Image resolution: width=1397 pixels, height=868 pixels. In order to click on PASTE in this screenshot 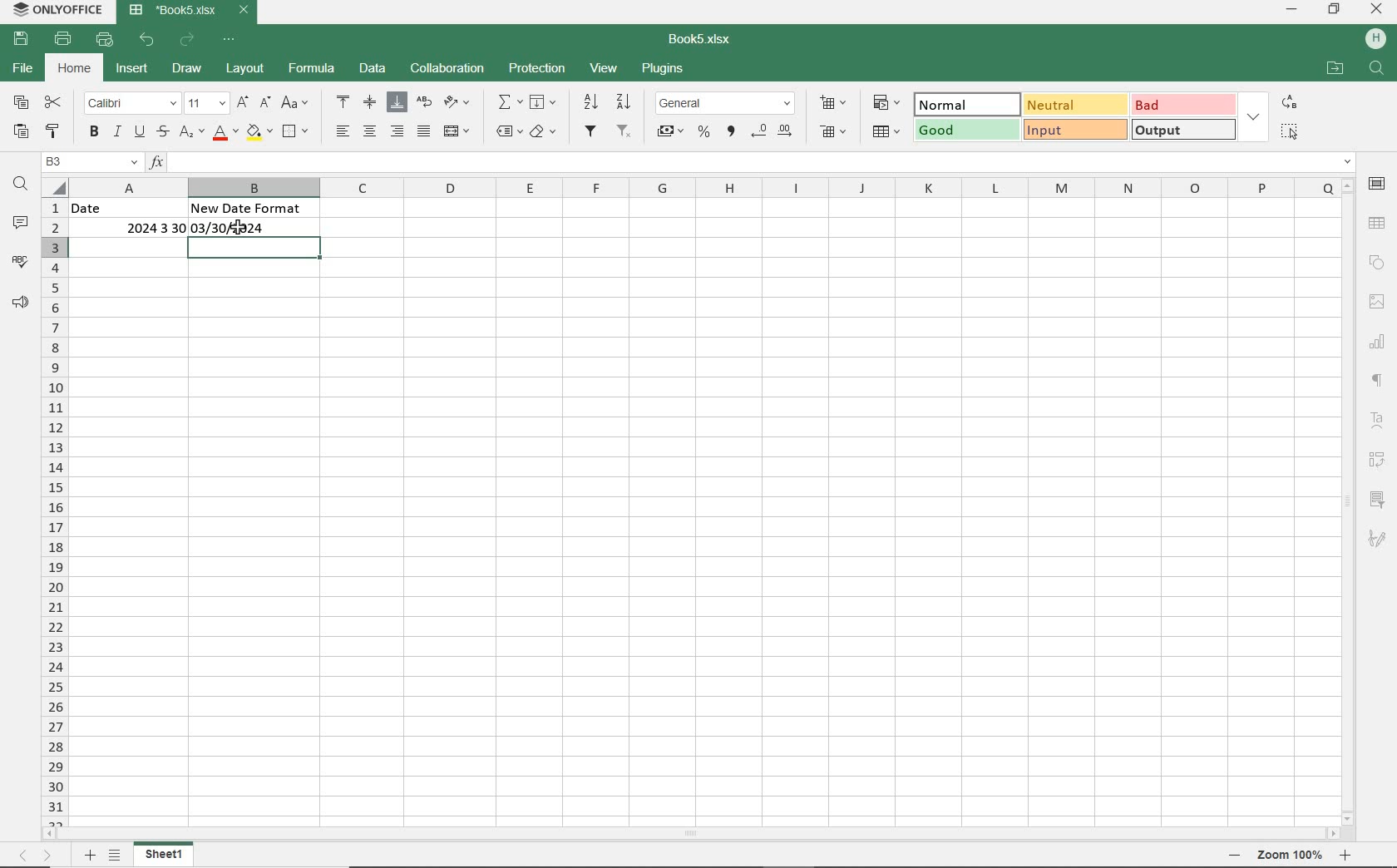, I will do `click(21, 132)`.